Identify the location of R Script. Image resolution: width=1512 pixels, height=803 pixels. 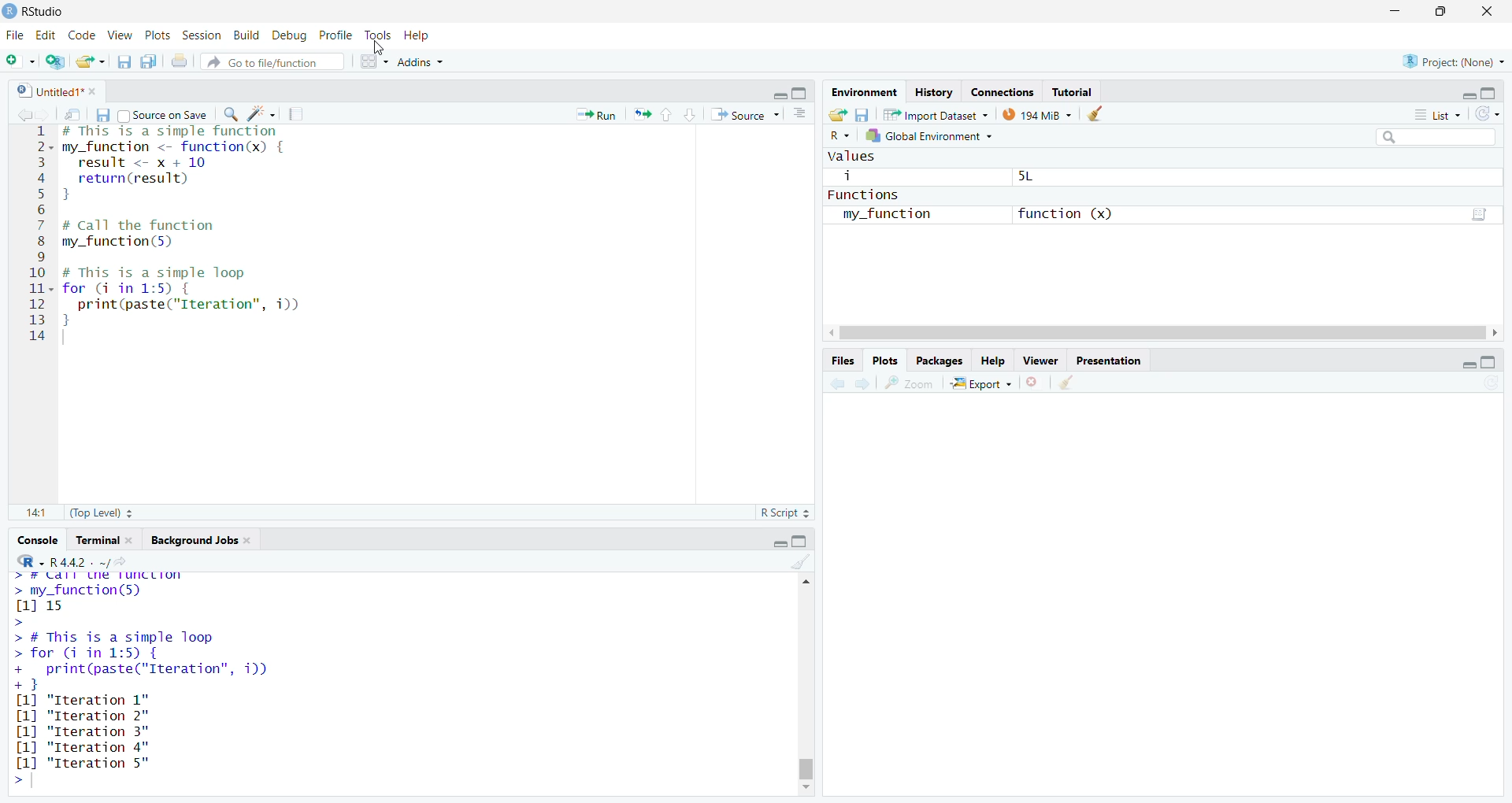
(787, 513).